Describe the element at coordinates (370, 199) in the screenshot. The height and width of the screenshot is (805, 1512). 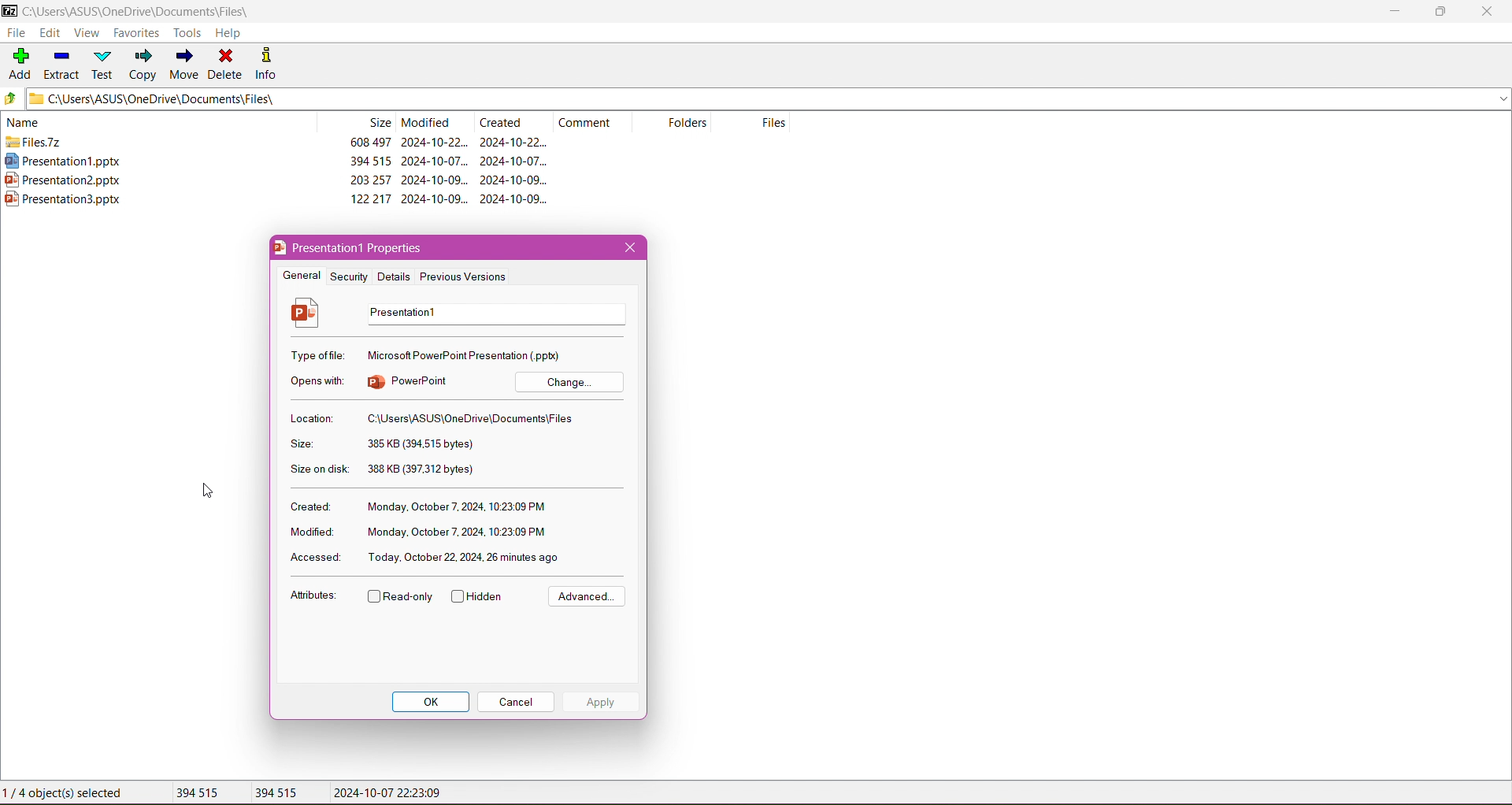
I see `122 217` at that location.